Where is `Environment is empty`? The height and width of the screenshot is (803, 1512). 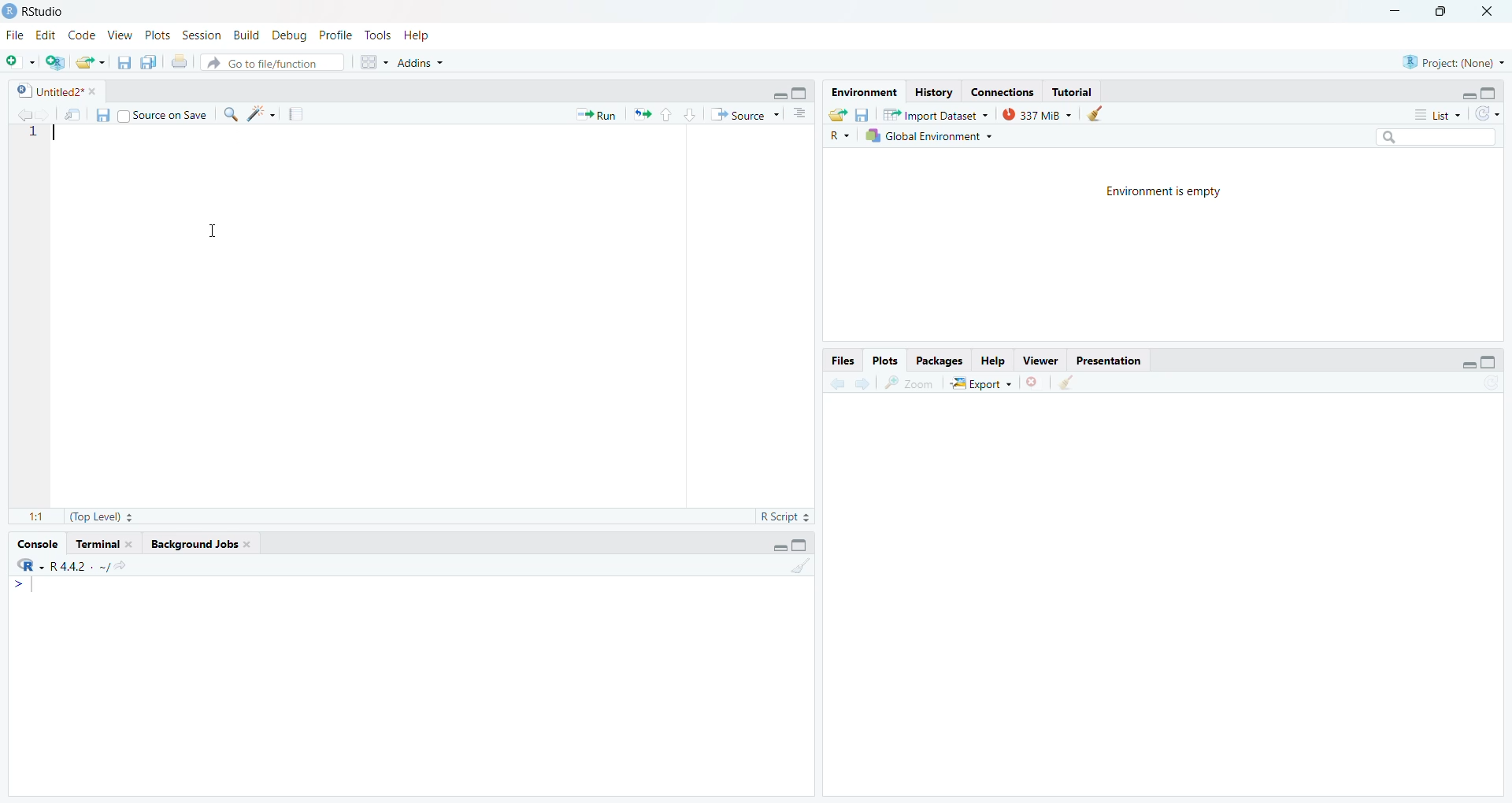 Environment is empty is located at coordinates (1166, 194).